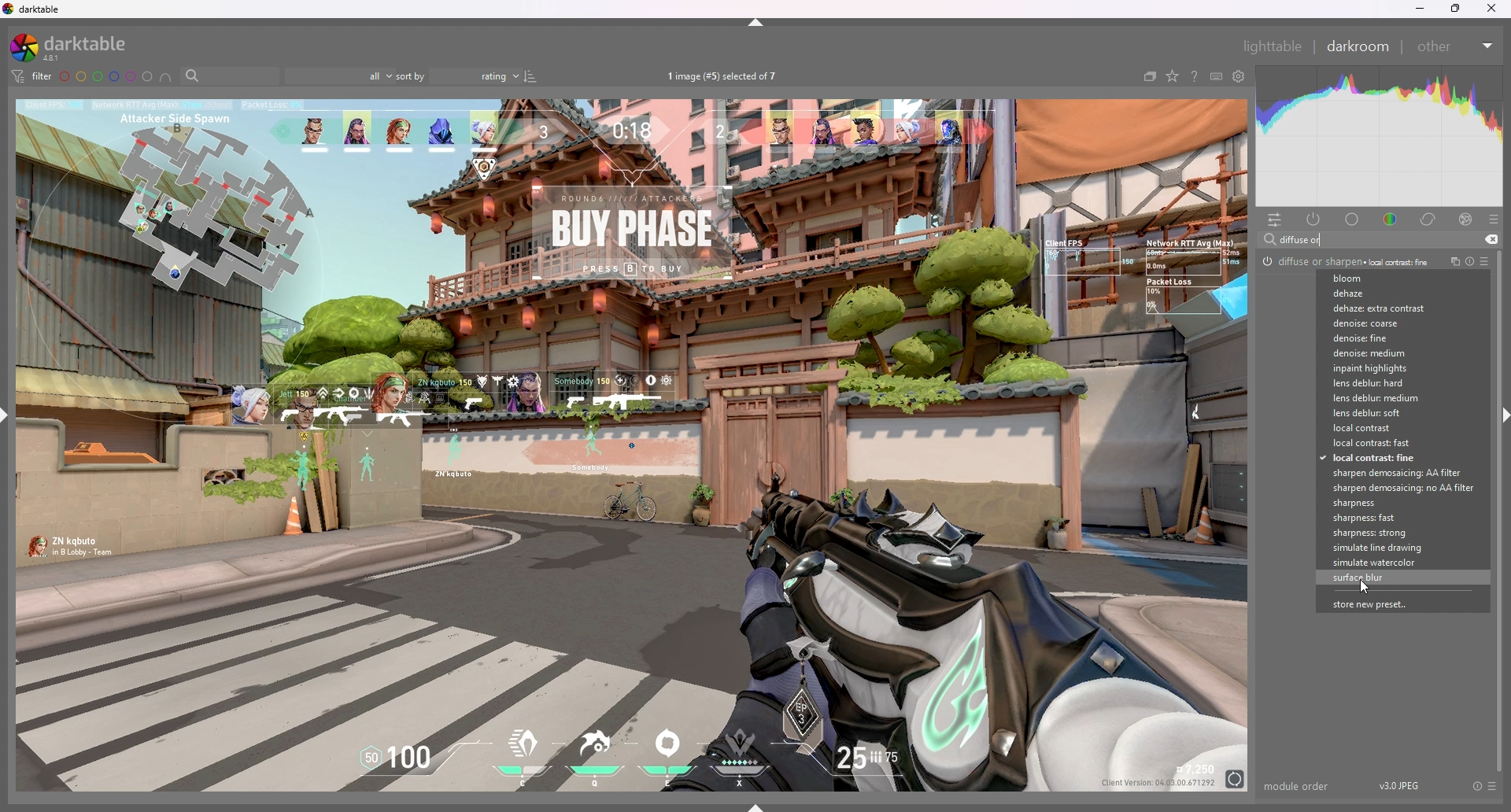 The image size is (1511, 812). Describe the element at coordinates (1402, 784) in the screenshot. I see `version` at that location.